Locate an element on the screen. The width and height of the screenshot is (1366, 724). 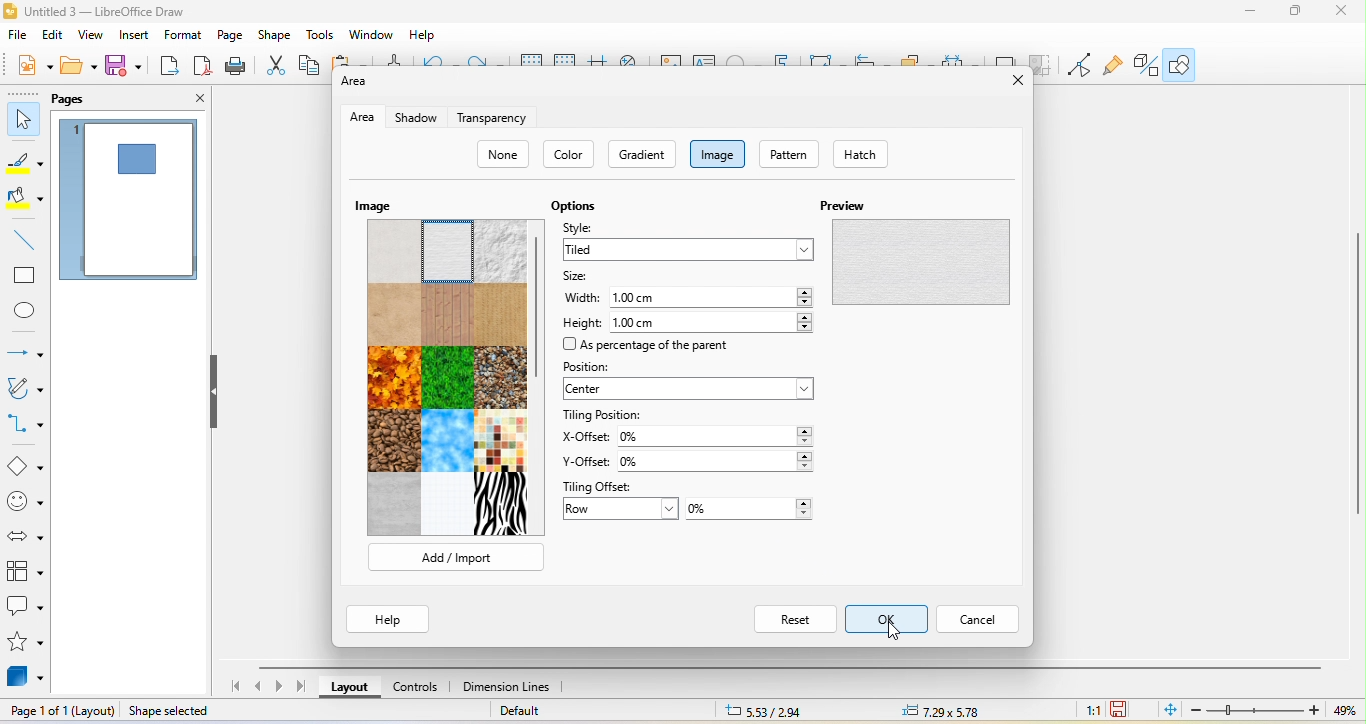
preview is located at coordinates (917, 251).